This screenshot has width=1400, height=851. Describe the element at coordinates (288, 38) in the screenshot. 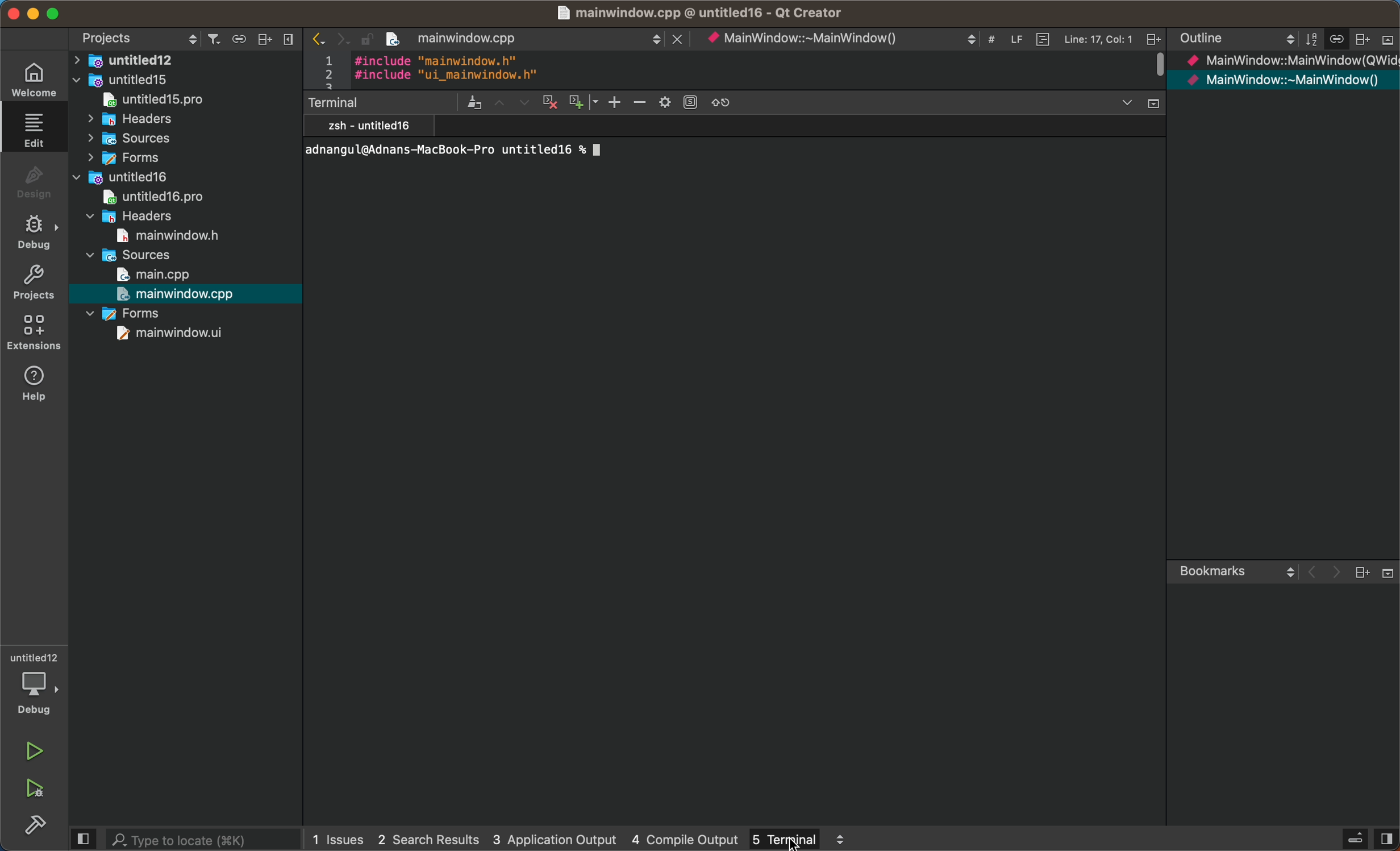

I see `previous` at that location.